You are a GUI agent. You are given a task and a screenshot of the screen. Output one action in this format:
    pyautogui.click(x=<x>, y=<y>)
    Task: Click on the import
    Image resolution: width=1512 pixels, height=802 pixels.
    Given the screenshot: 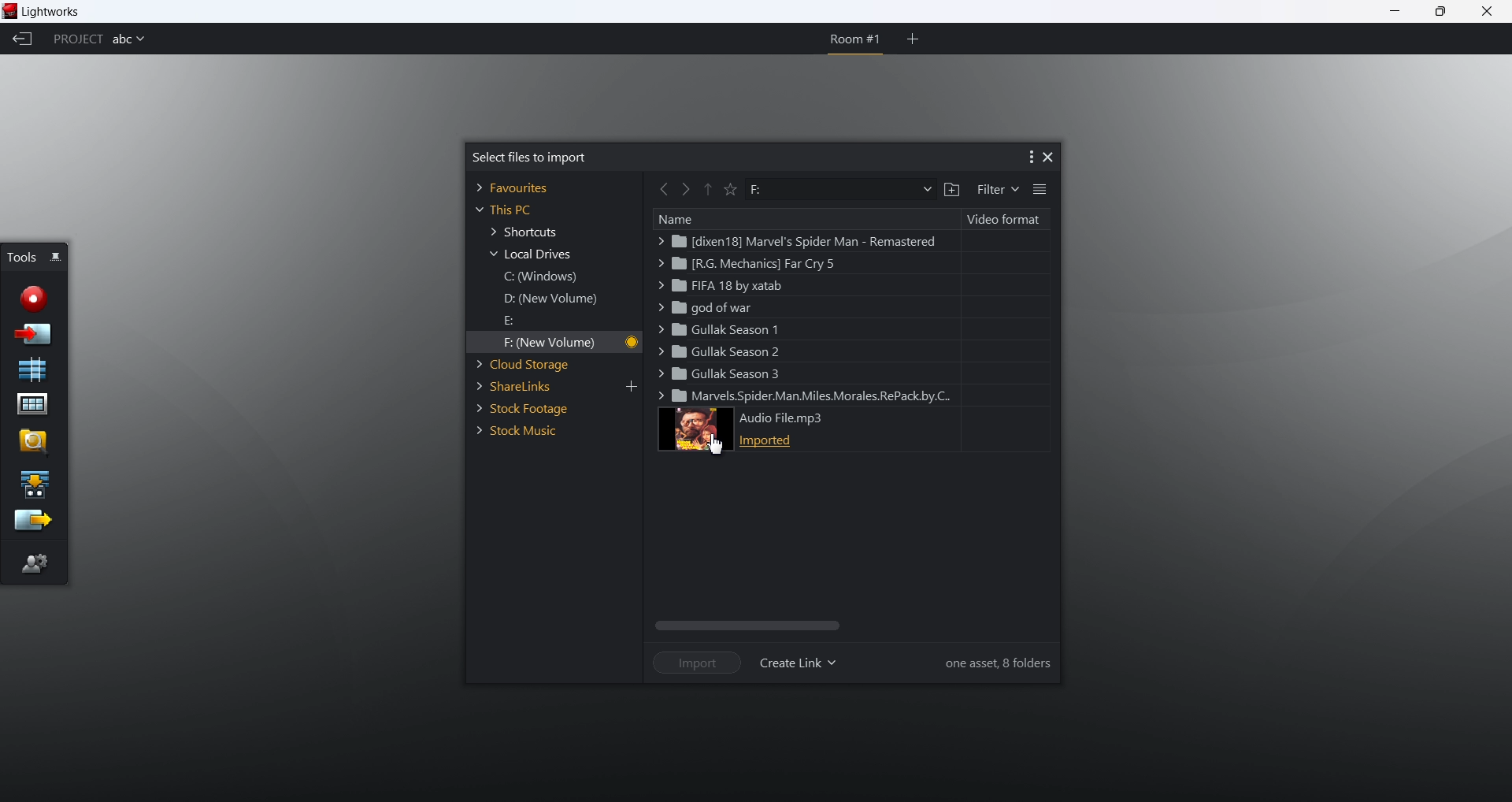 What is the action you would take?
    pyautogui.click(x=692, y=663)
    